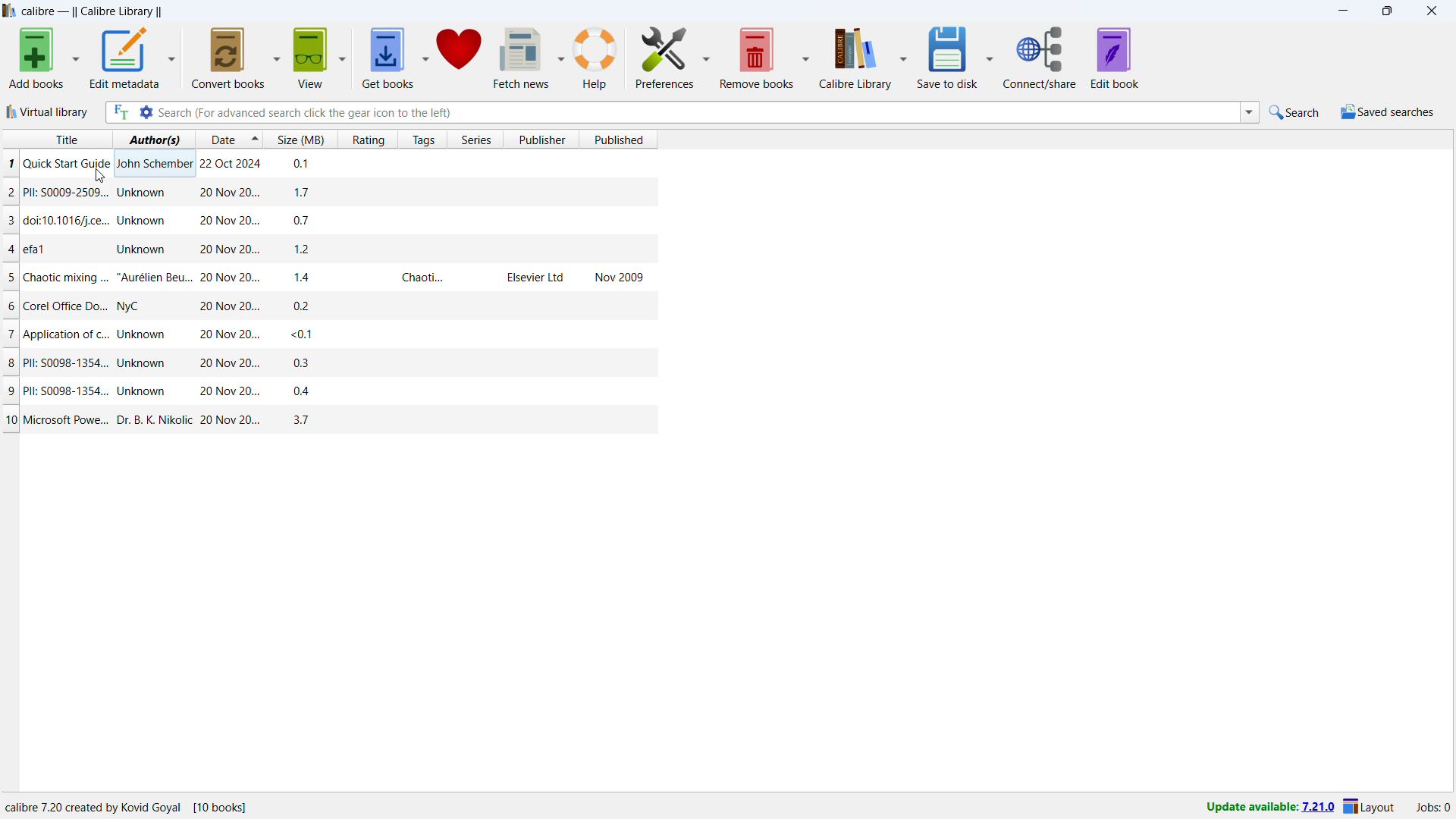  I want to click on sort by series, so click(475, 139).